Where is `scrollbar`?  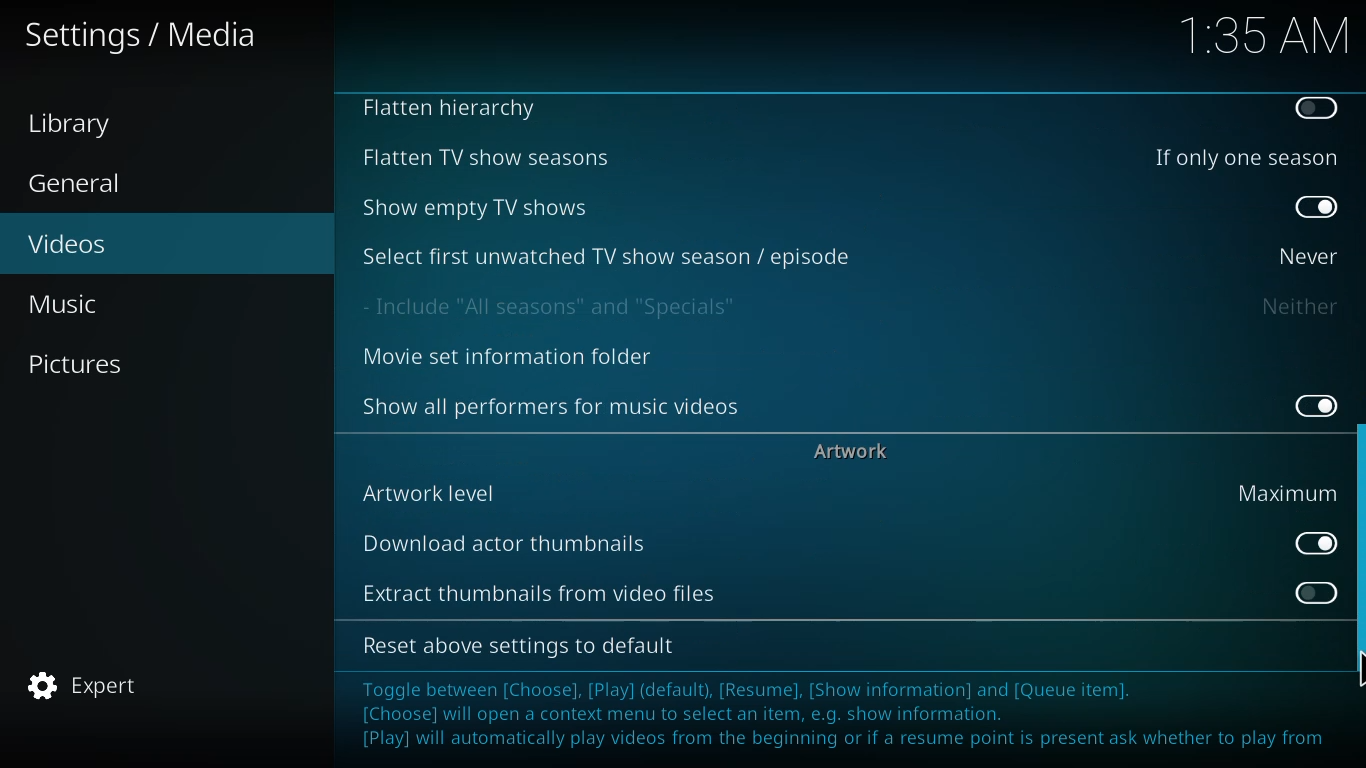
scrollbar is located at coordinates (1357, 560).